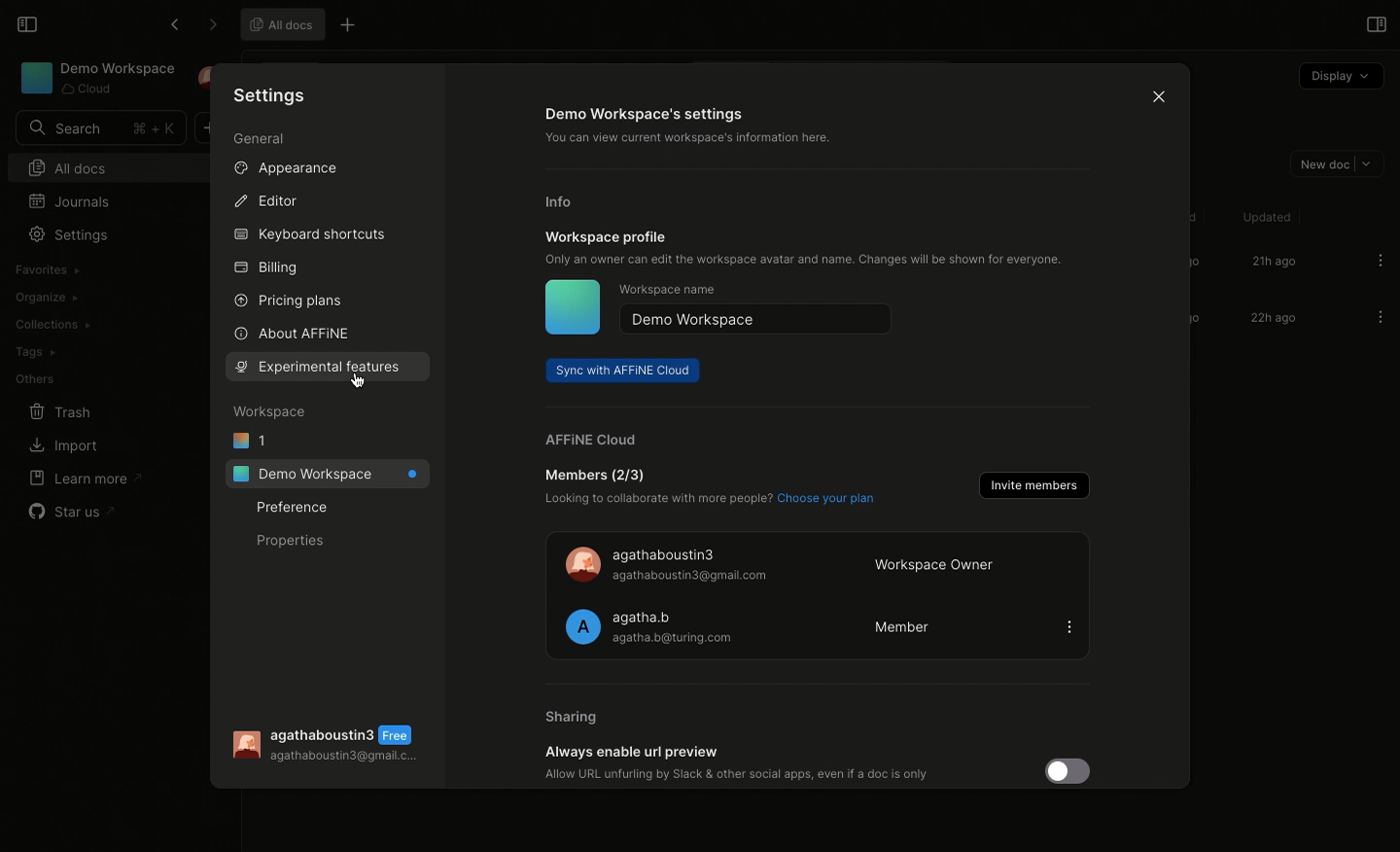 Image resolution: width=1400 pixels, height=852 pixels. I want to click on Keyboard shortcuts, so click(311, 236).